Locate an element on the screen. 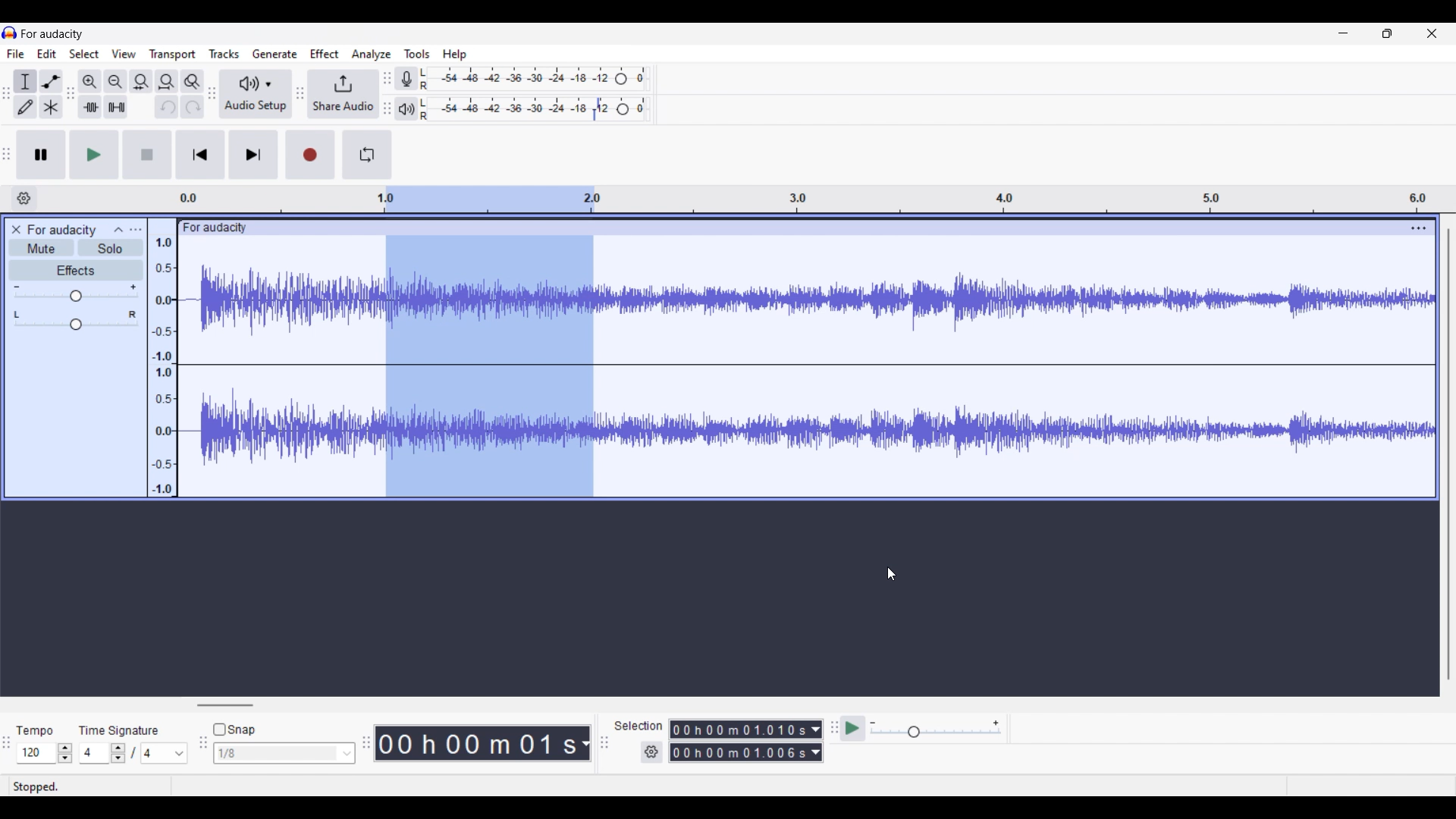  Open menu is located at coordinates (136, 230).